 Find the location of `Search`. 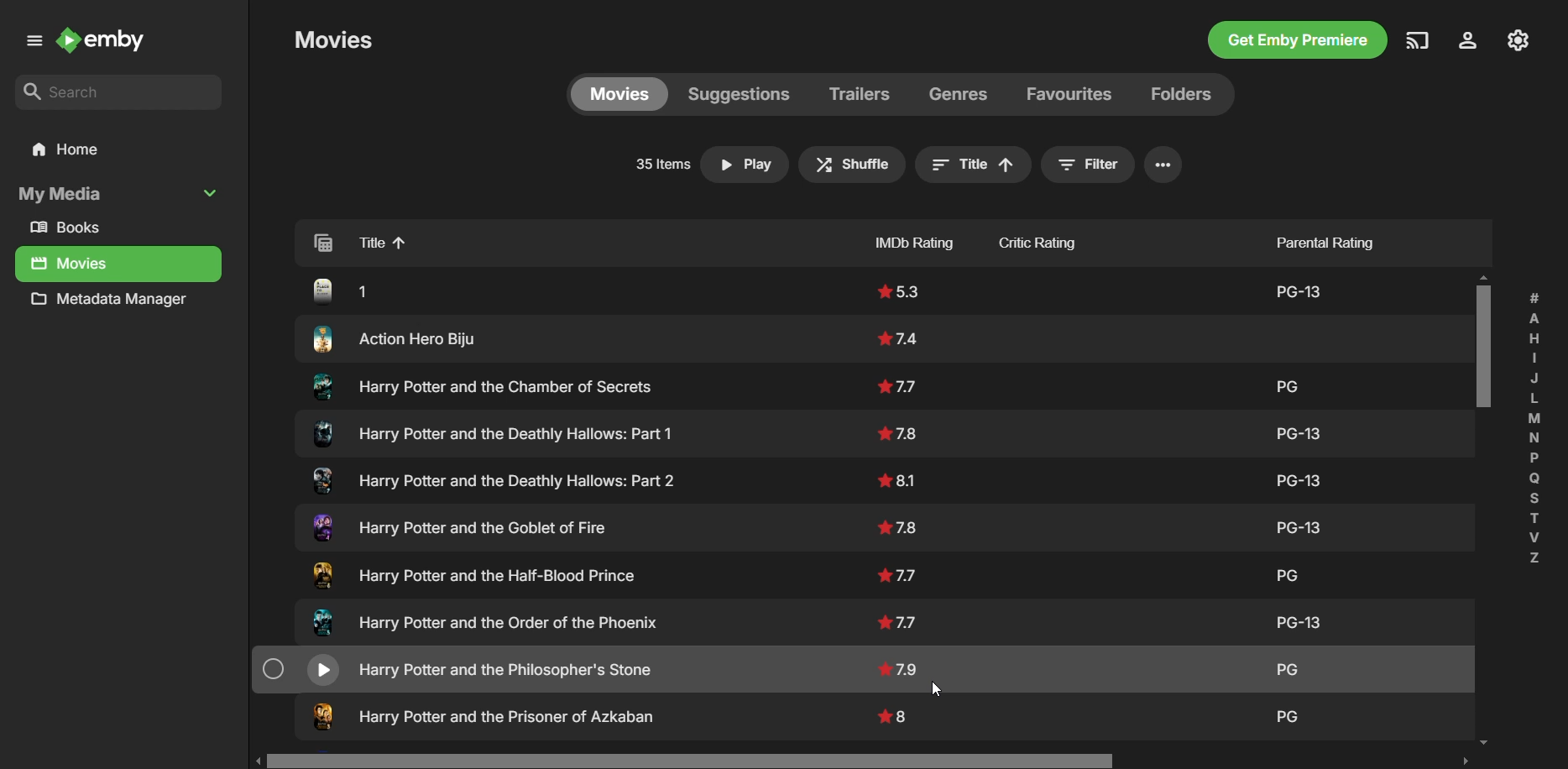

Search is located at coordinates (119, 93).